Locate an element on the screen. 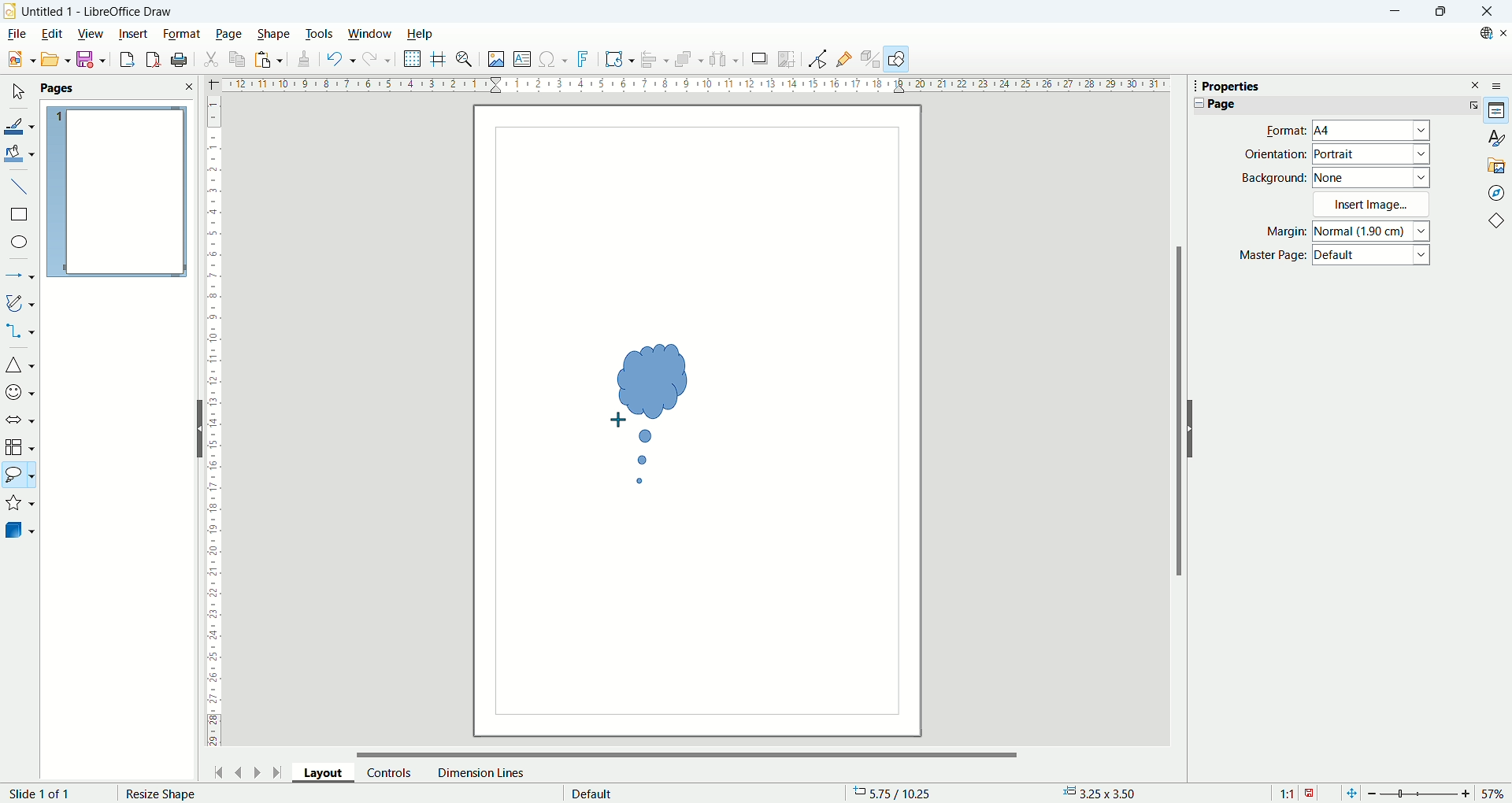  show grid is located at coordinates (413, 59).